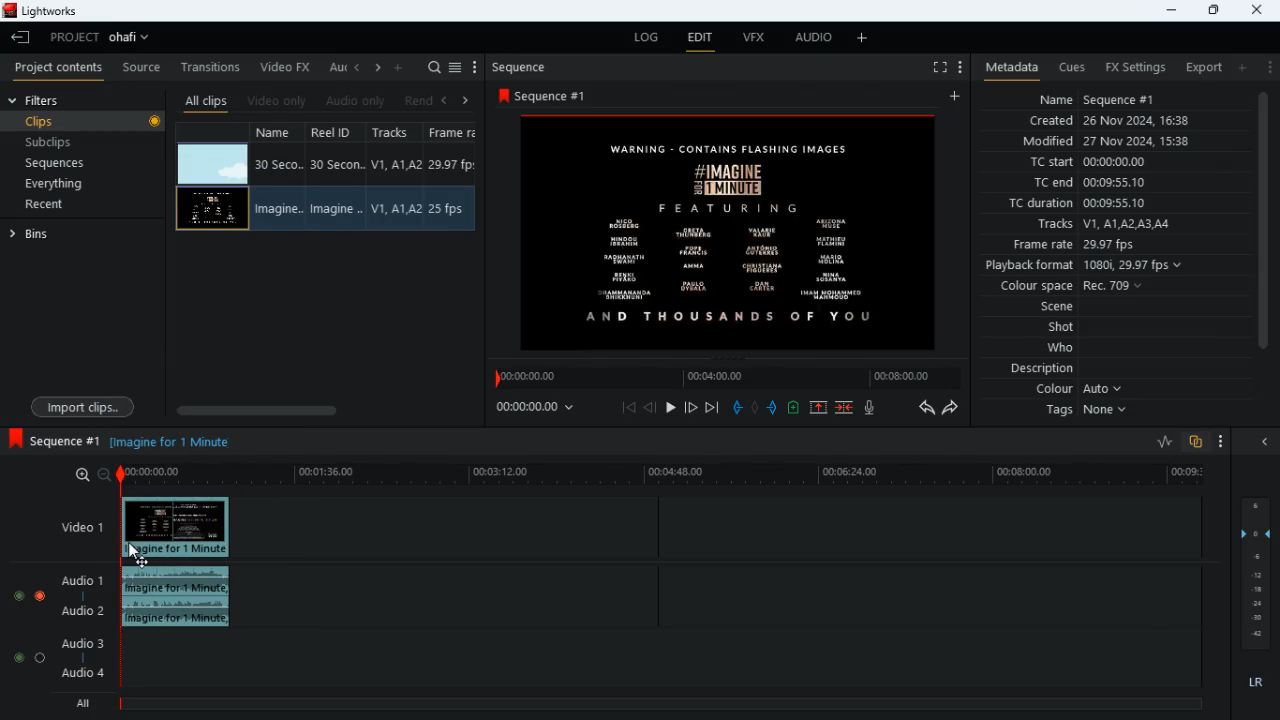 This screenshot has height=720, width=1280. What do you see at coordinates (1034, 370) in the screenshot?
I see `description` at bounding box center [1034, 370].